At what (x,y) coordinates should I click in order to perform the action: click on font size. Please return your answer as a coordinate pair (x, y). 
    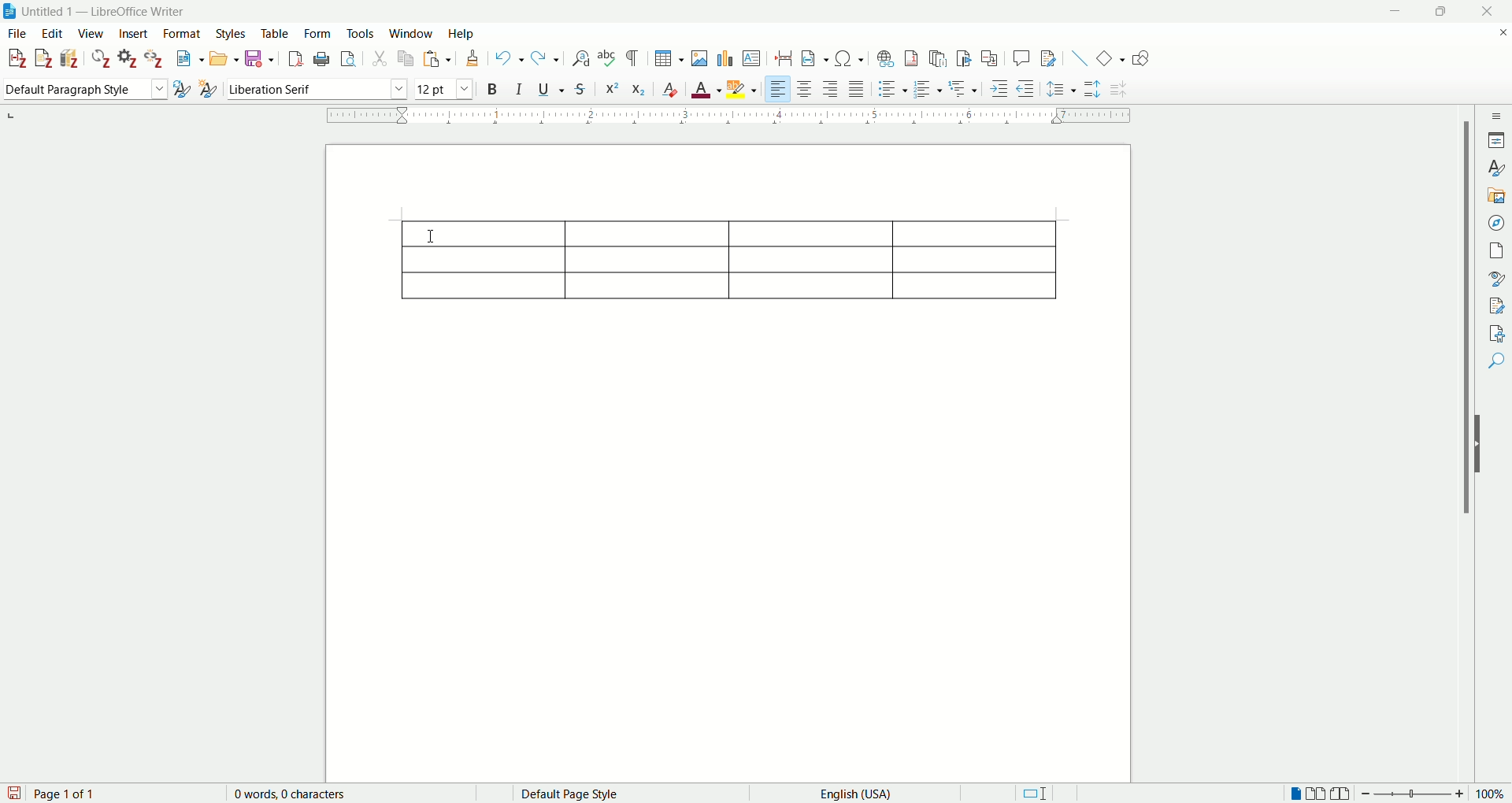
    Looking at the image, I should click on (443, 91).